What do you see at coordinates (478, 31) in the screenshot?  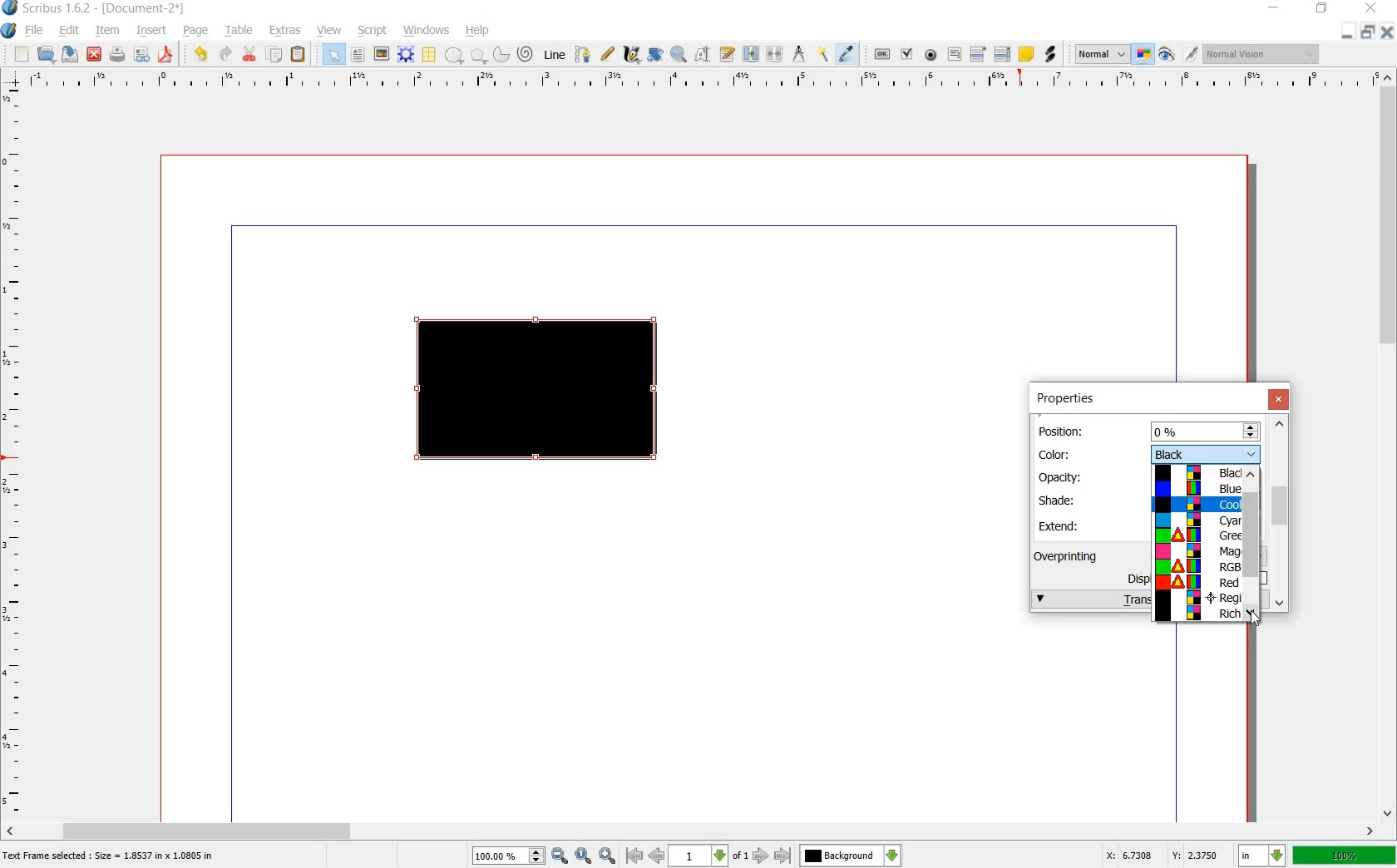 I see `help` at bounding box center [478, 31].